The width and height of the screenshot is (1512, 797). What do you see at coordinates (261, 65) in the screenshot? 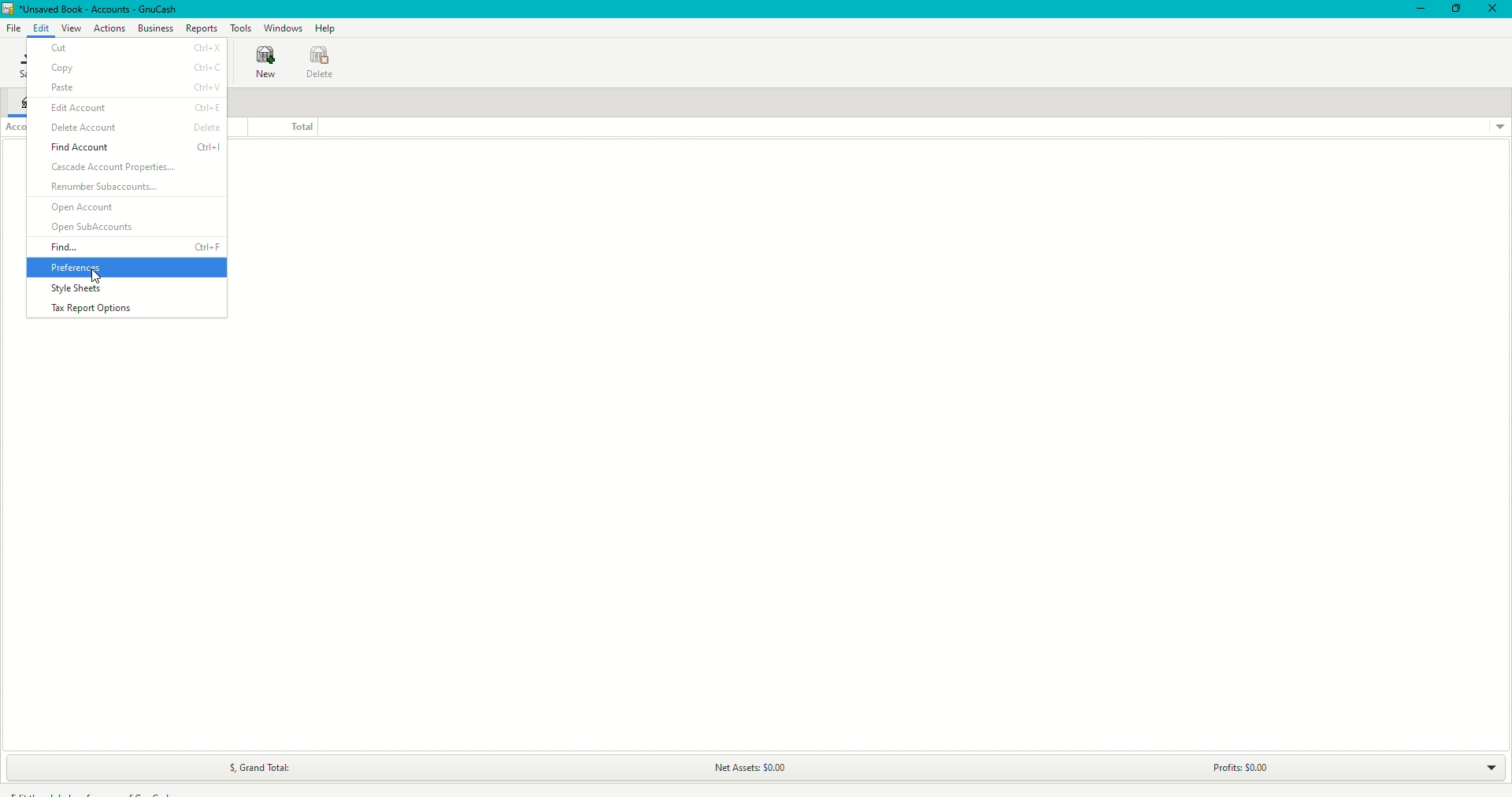
I see `new` at bounding box center [261, 65].